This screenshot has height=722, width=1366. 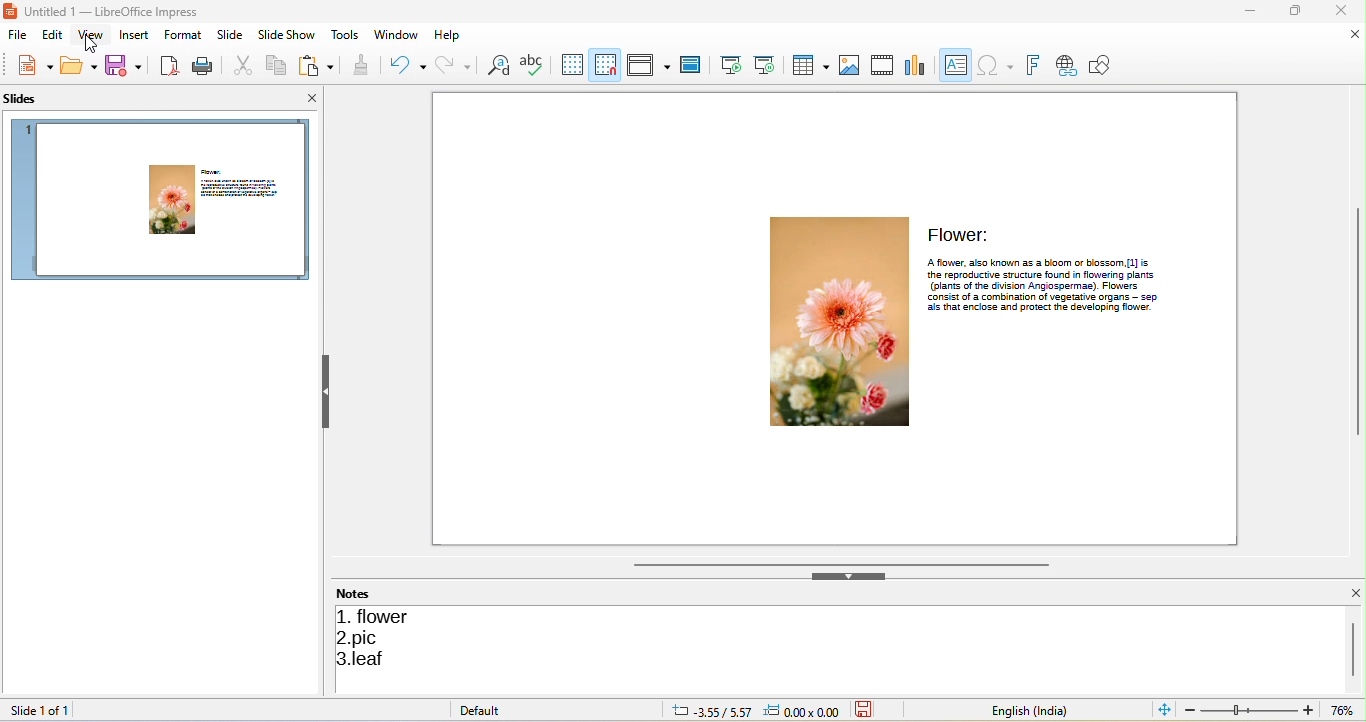 What do you see at coordinates (868, 710) in the screenshot?
I see `the document has not been modified since the last save` at bounding box center [868, 710].